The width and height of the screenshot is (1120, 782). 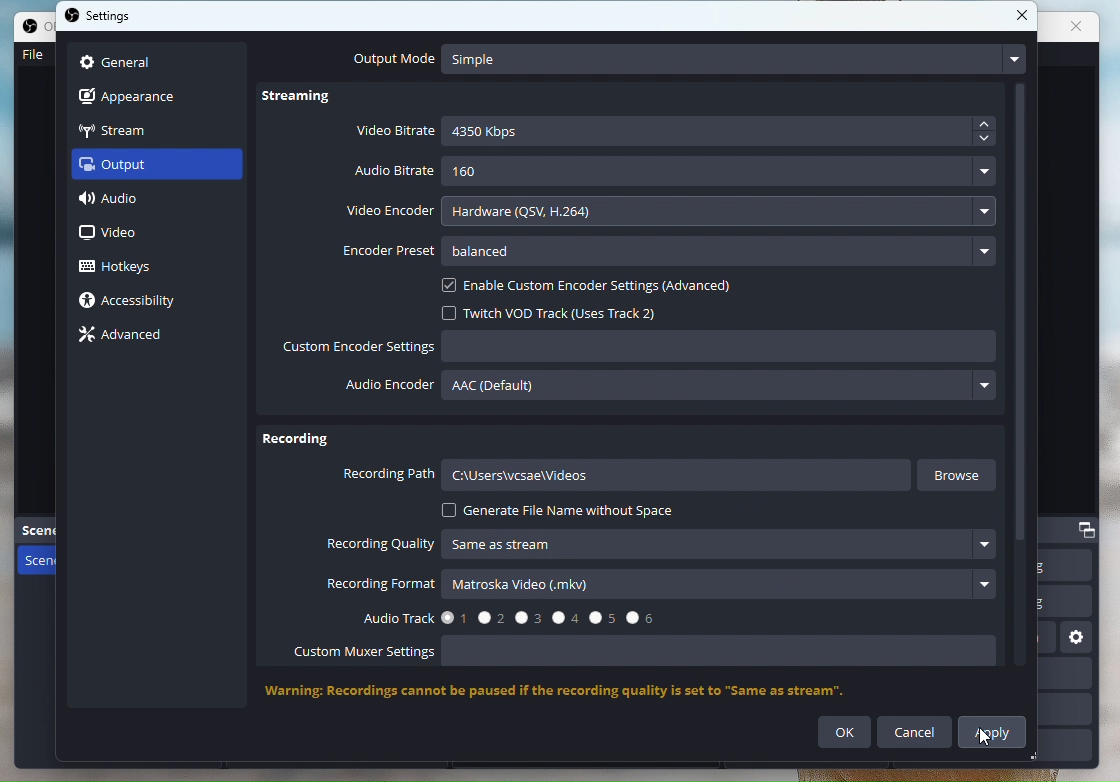 I want to click on close, so click(x=1022, y=16).